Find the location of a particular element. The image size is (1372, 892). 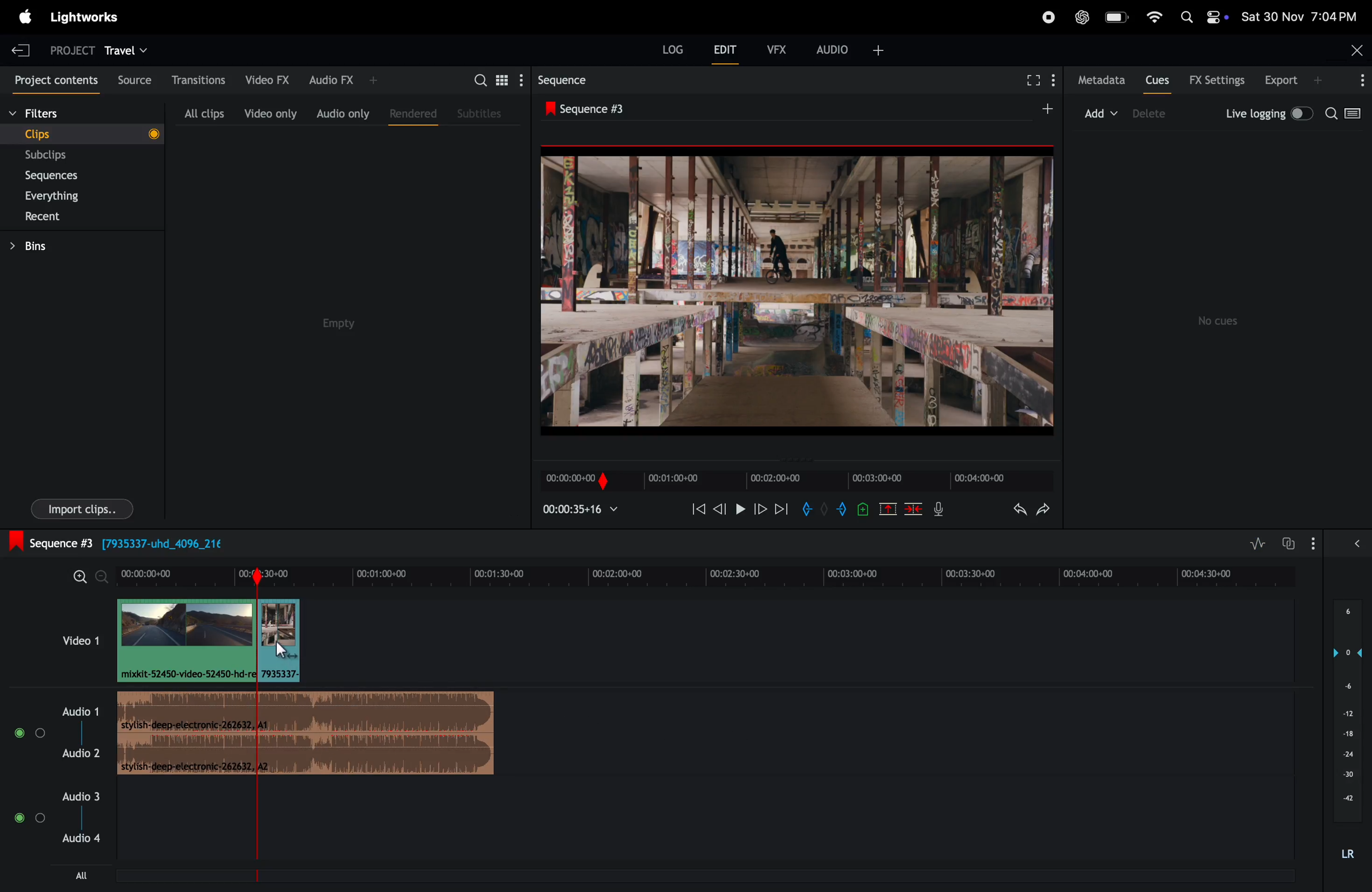

all is located at coordinates (80, 876).